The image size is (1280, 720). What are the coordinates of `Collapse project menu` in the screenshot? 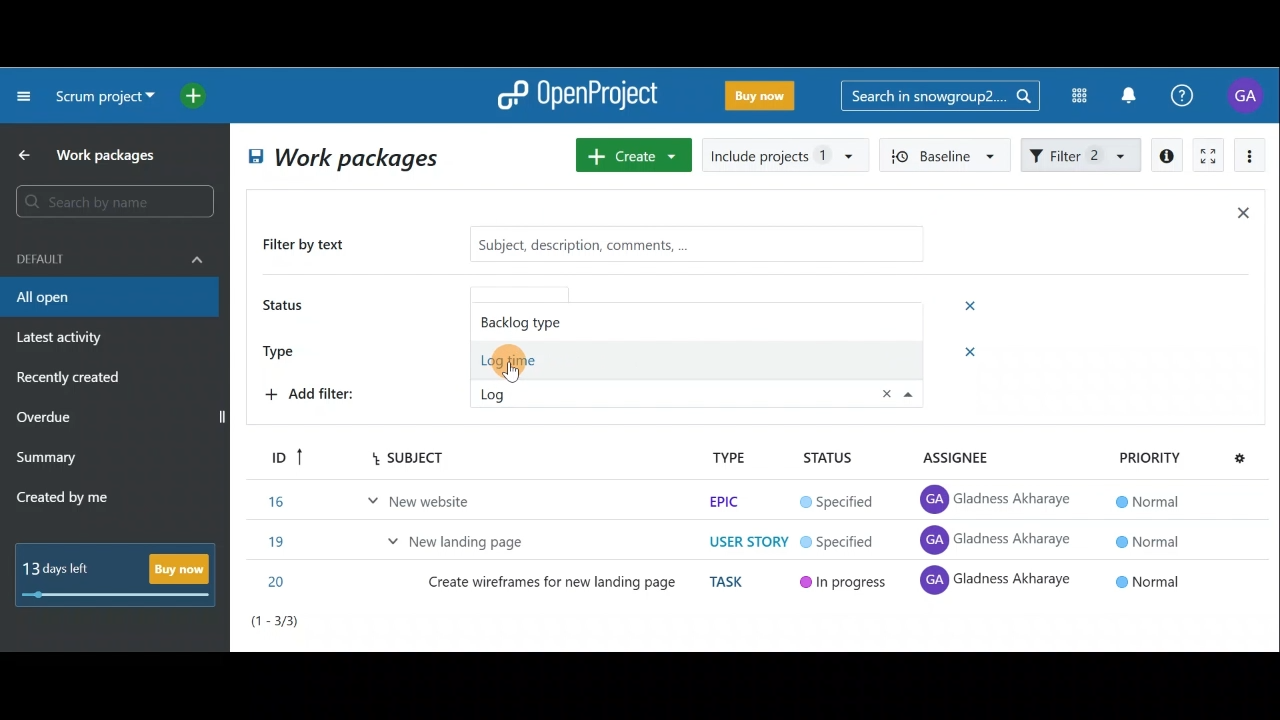 It's located at (25, 95).